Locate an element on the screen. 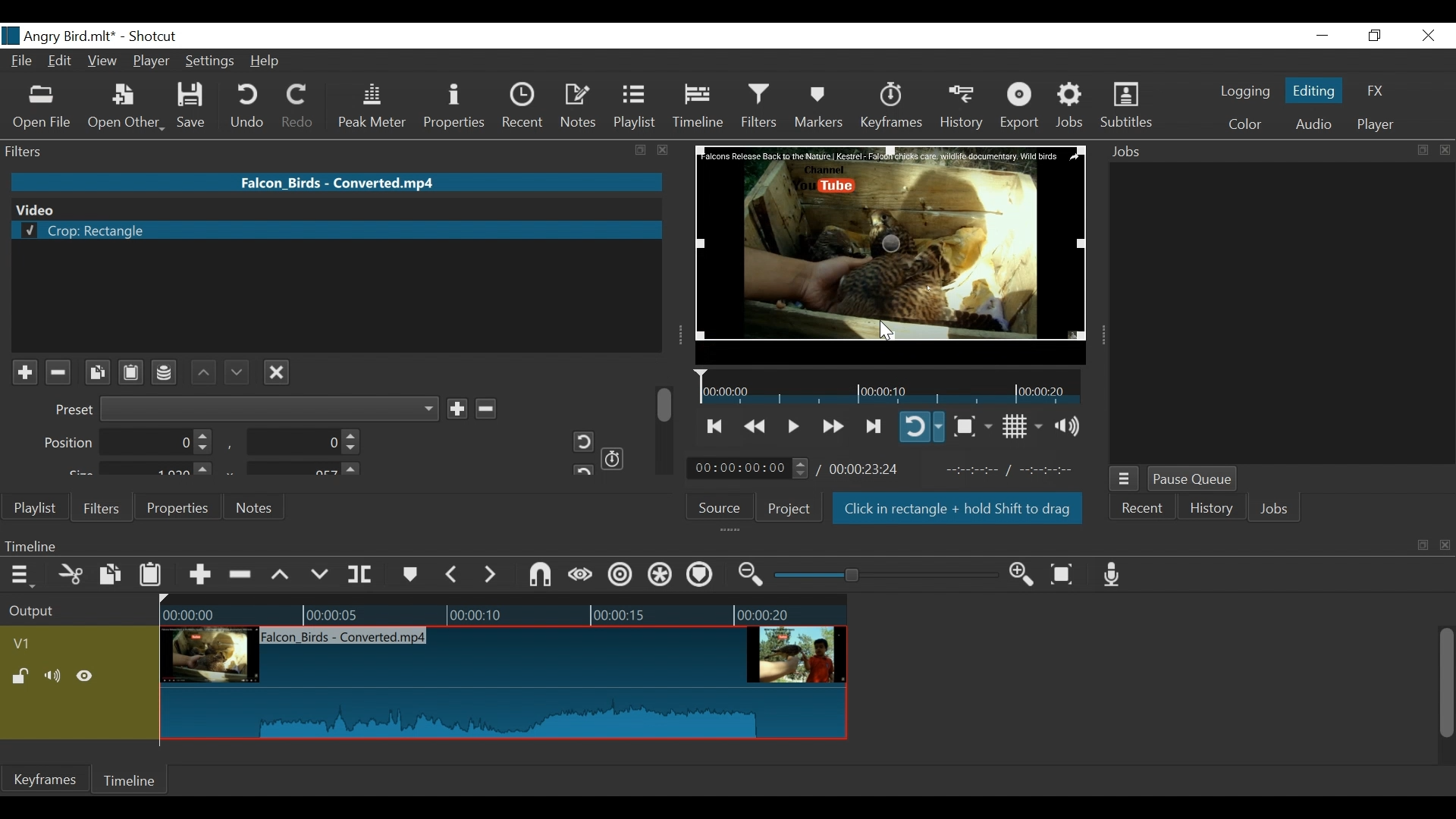 This screenshot has height=819, width=1456. History is located at coordinates (1212, 510).